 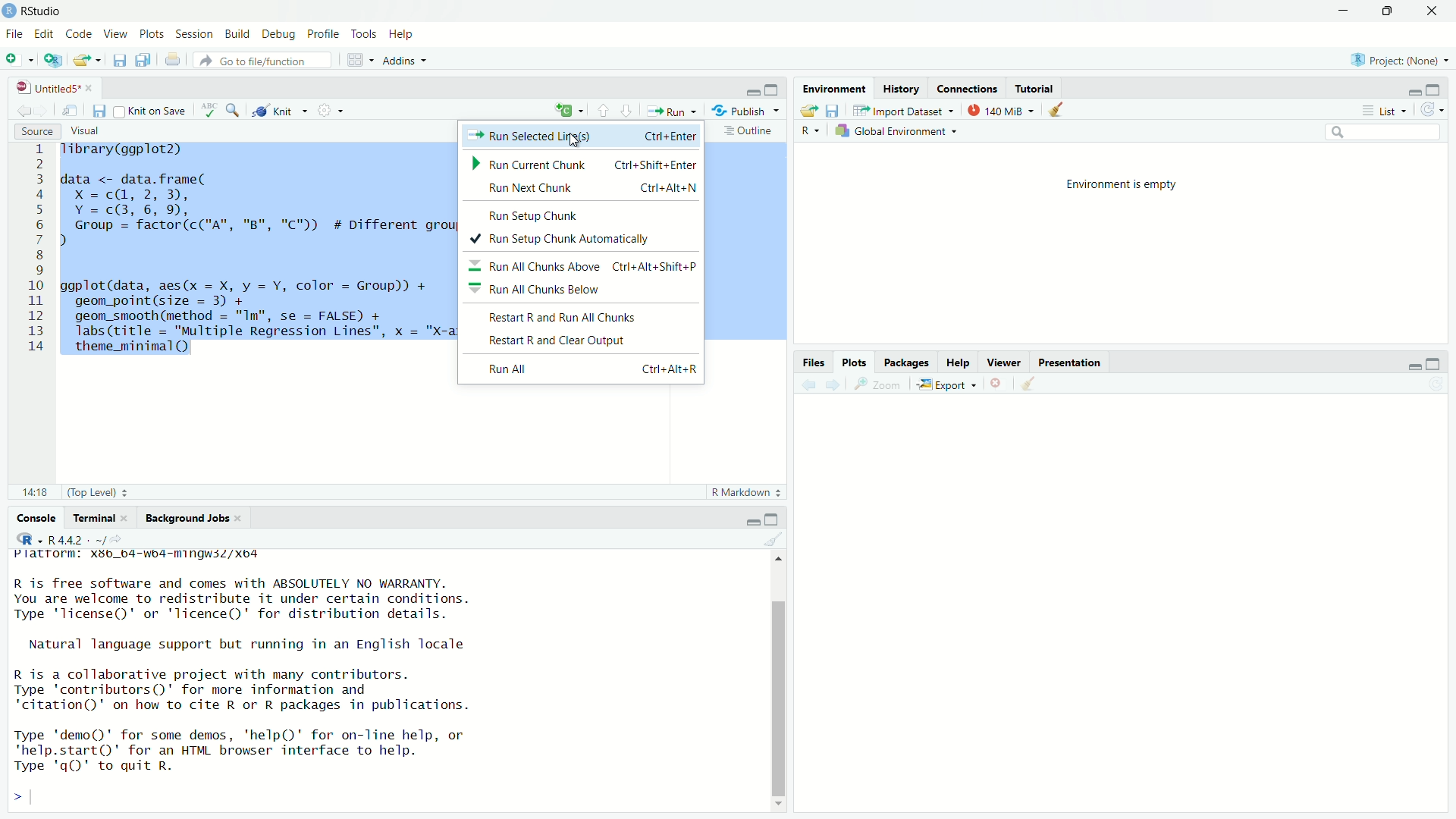 What do you see at coordinates (807, 385) in the screenshot?
I see `back` at bounding box center [807, 385].